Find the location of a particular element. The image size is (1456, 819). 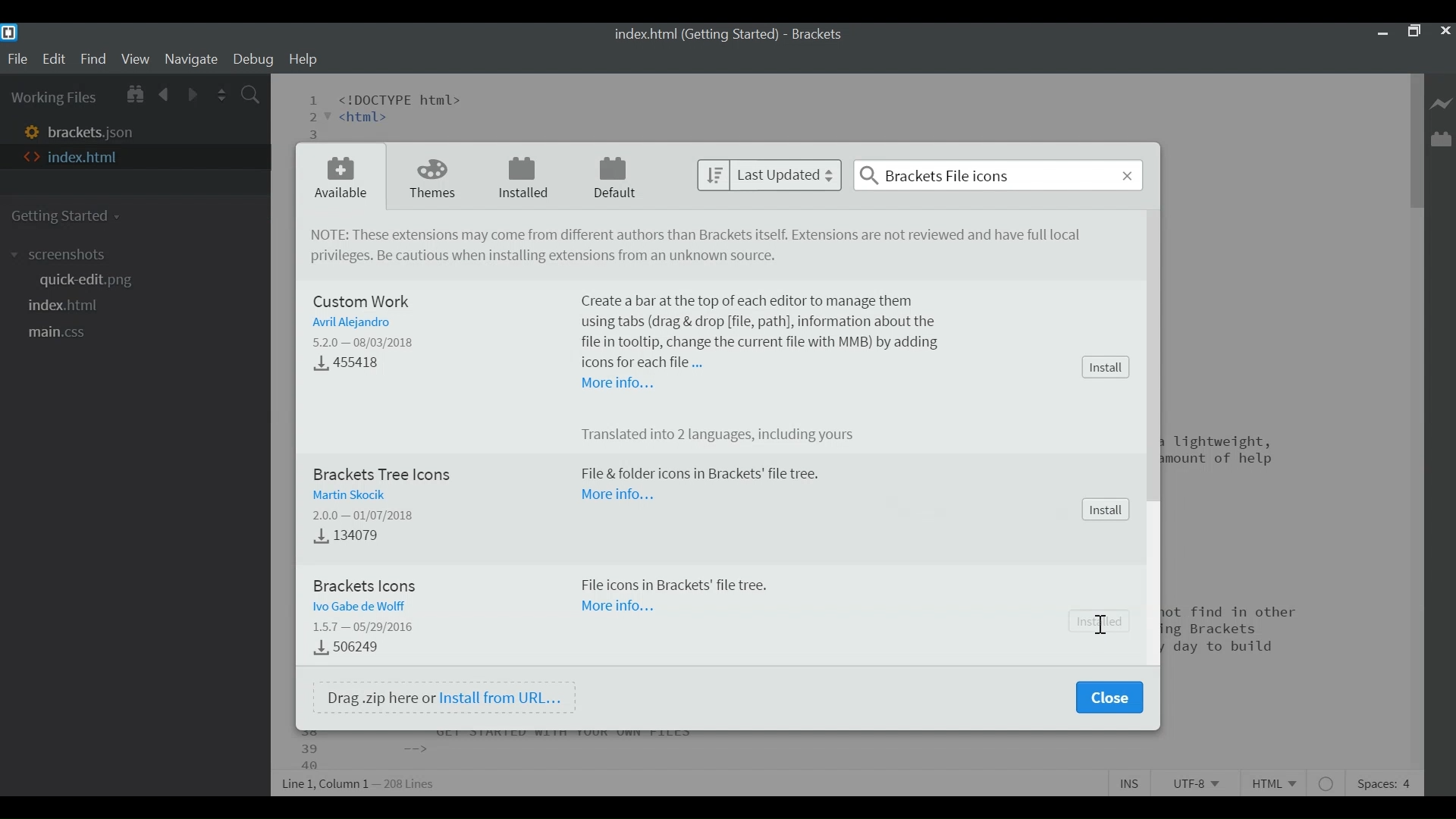

Debug is located at coordinates (256, 61).